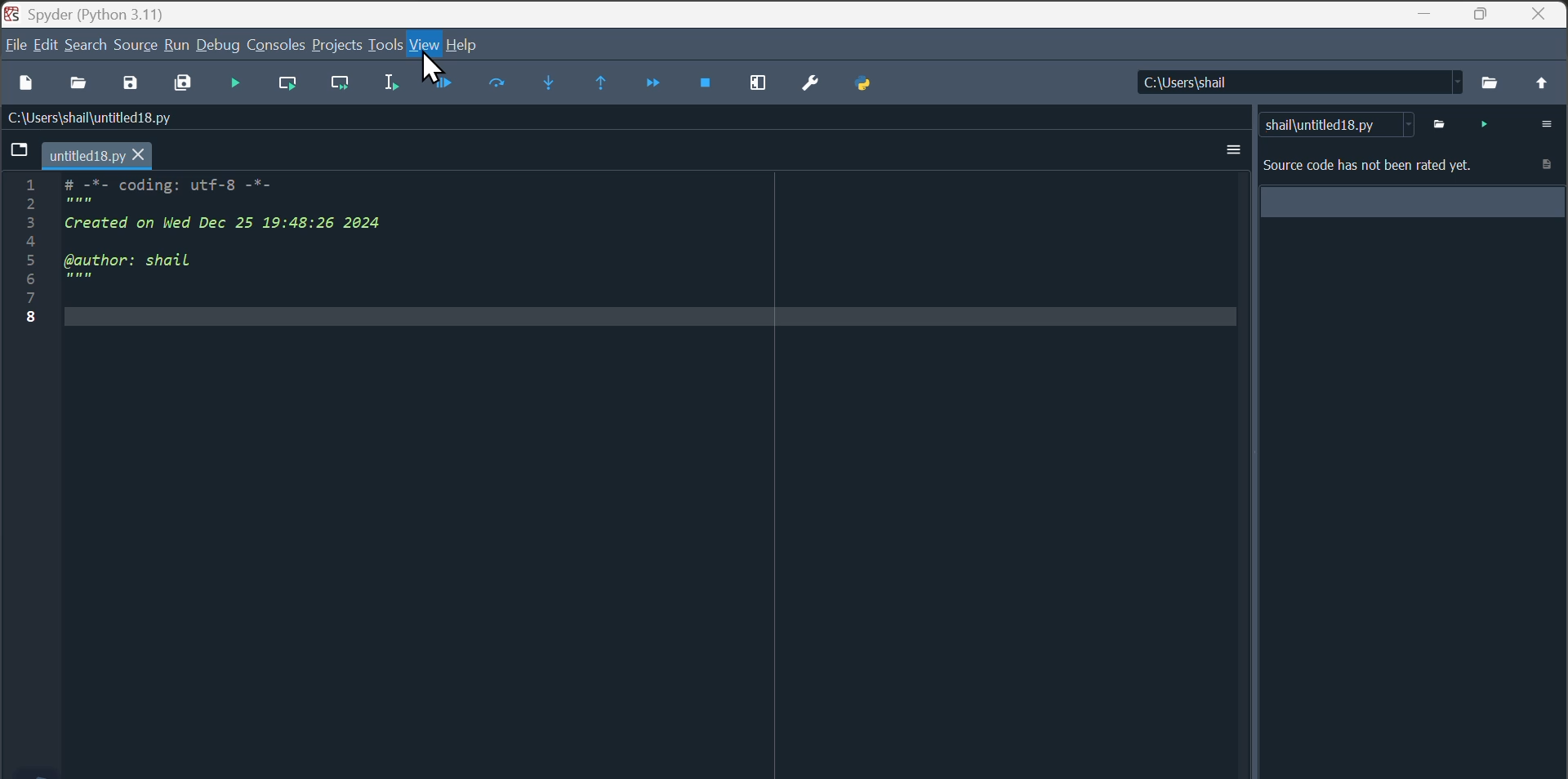 Image resolution: width=1568 pixels, height=779 pixels. Describe the element at coordinates (386, 42) in the screenshot. I see `Tools` at that location.